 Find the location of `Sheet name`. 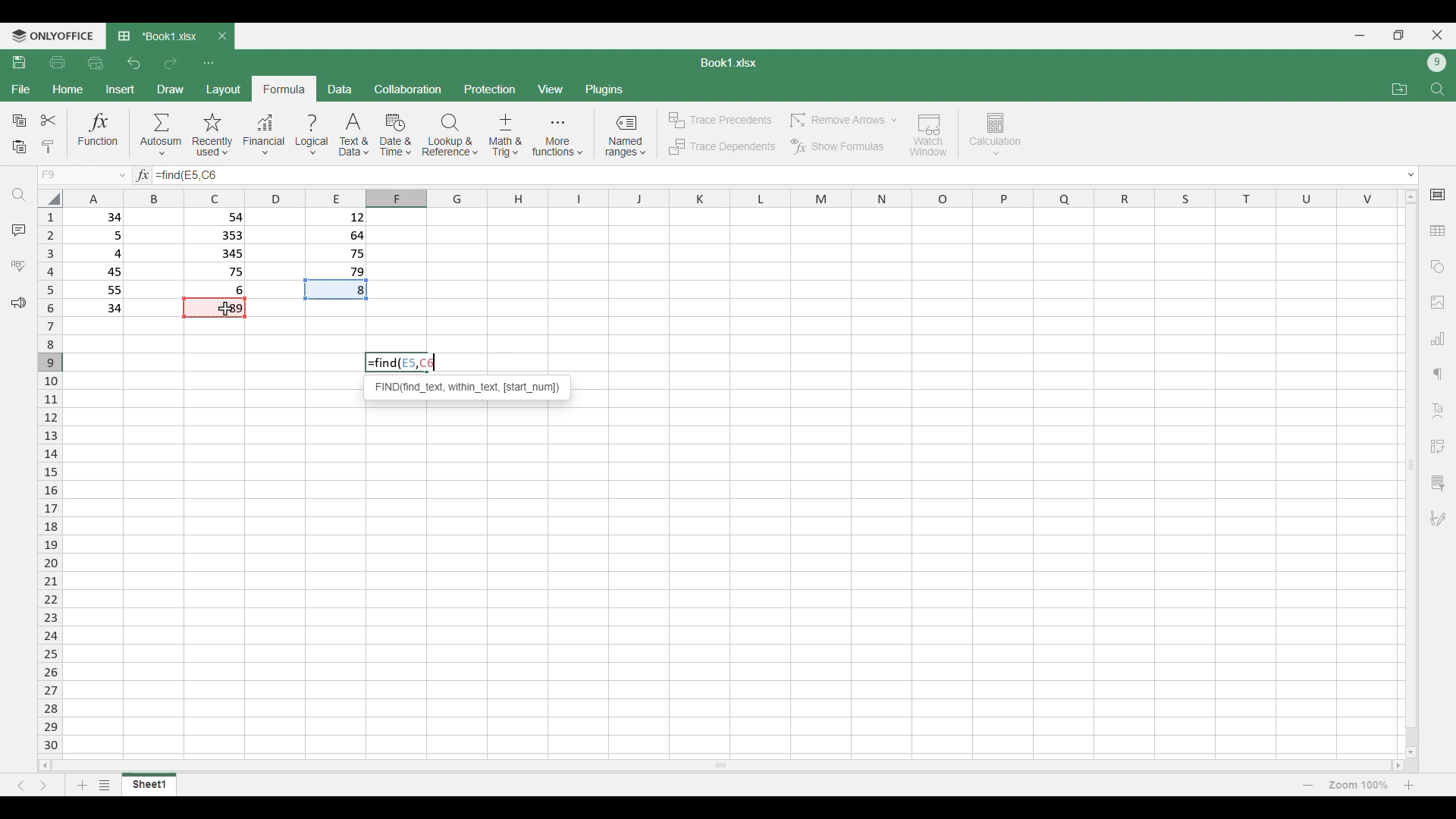

Sheet name is located at coordinates (729, 63).